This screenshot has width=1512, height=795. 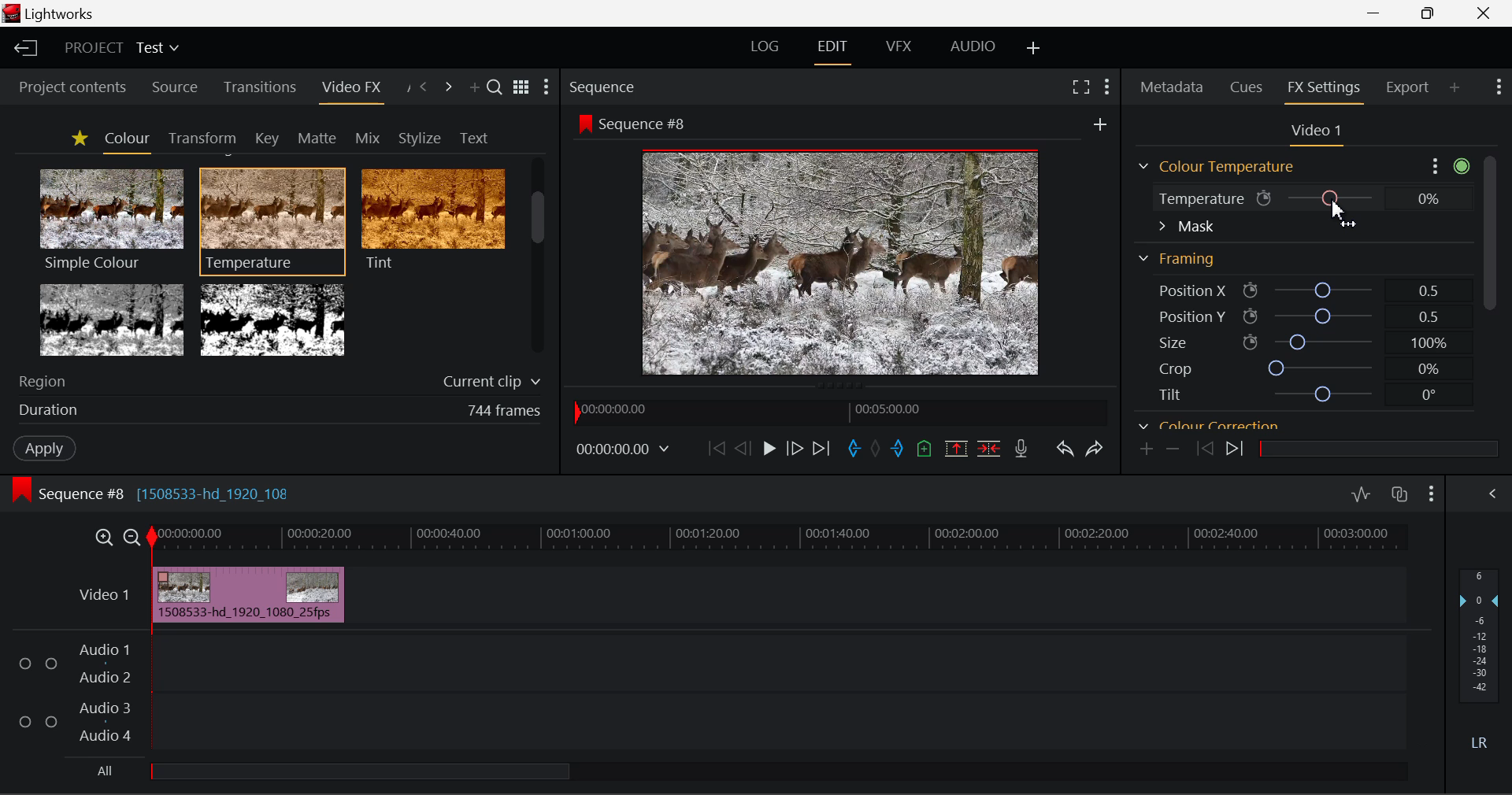 What do you see at coordinates (369, 135) in the screenshot?
I see `Mix` at bounding box center [369, 135].